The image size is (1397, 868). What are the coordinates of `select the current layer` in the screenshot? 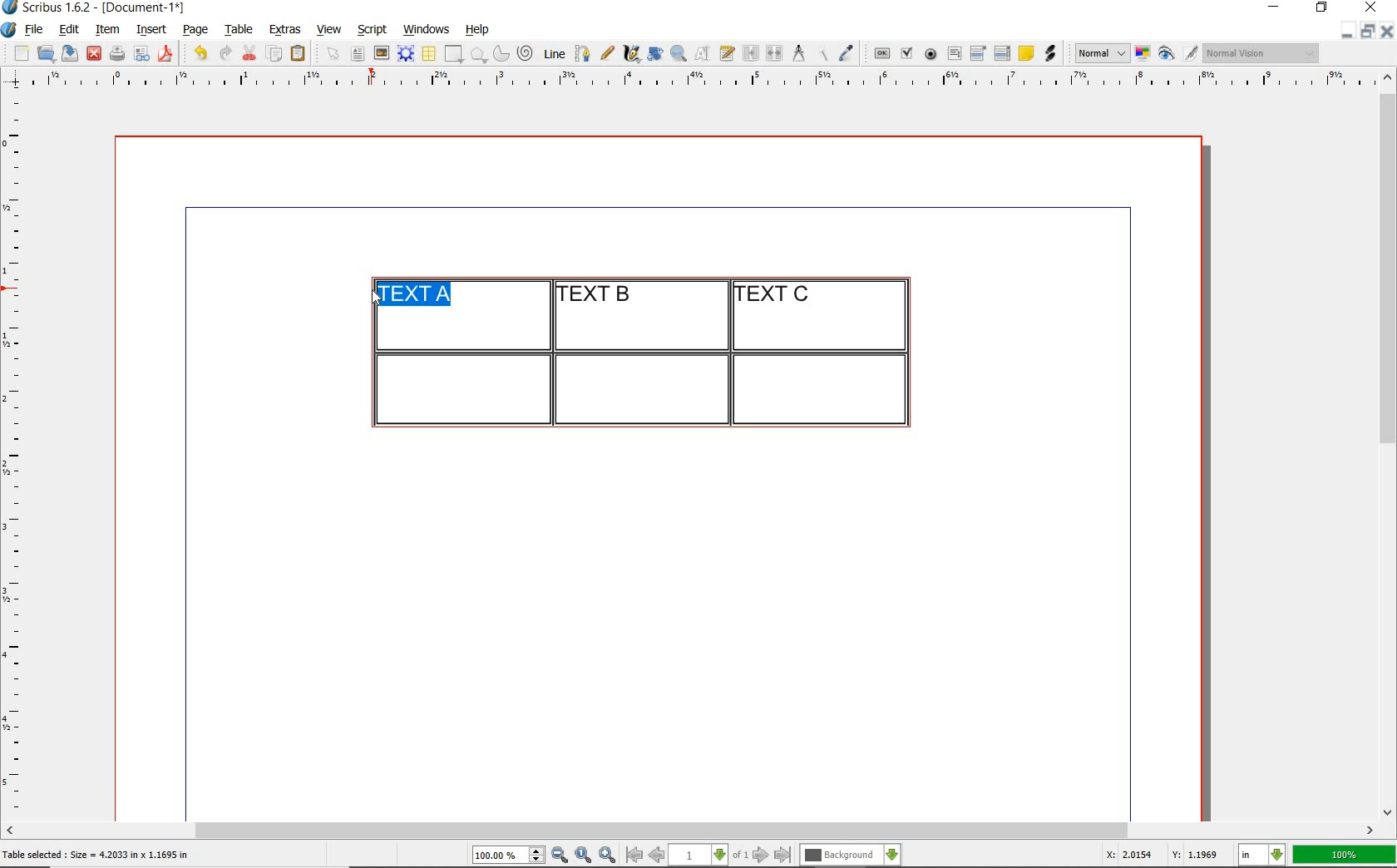 It's located at (851, 856).